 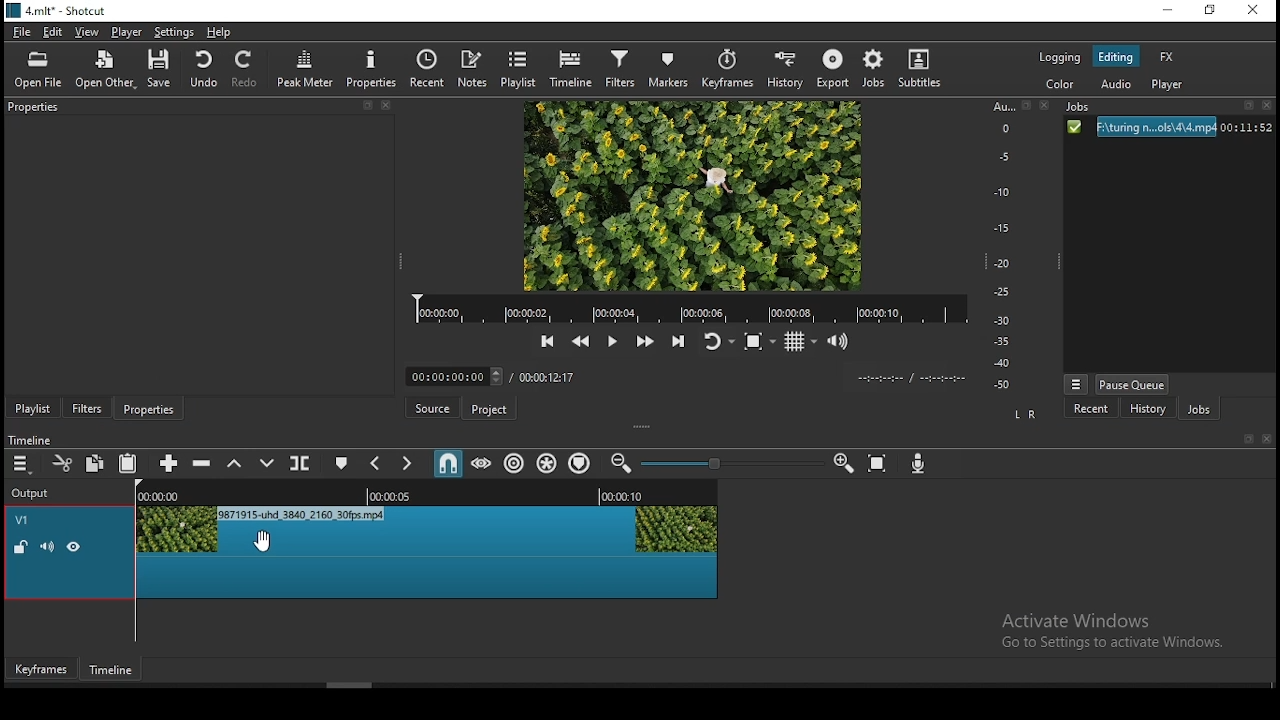 What do you see at coordinates (374, 68) in the screenshot?
I see `properties` at bounding box center [374, 68].